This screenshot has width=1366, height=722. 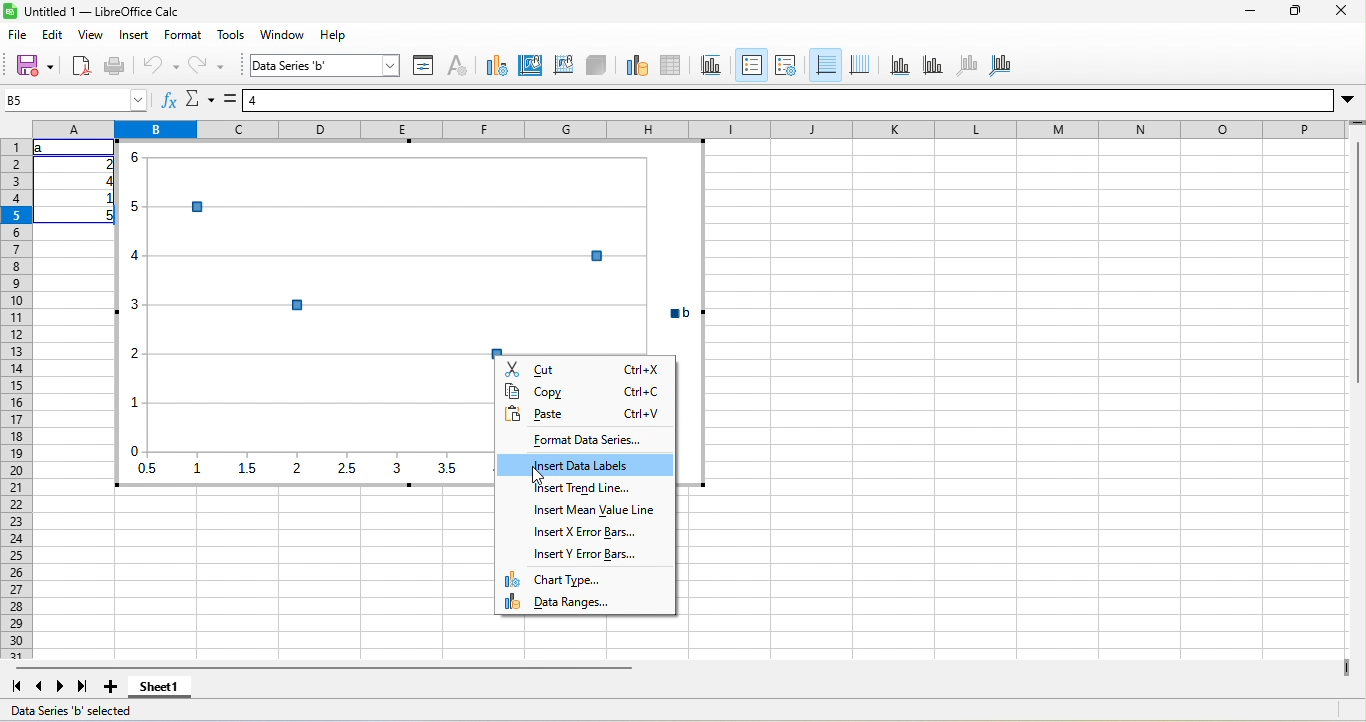 I want to click on redo, so click(x=206, y=66).